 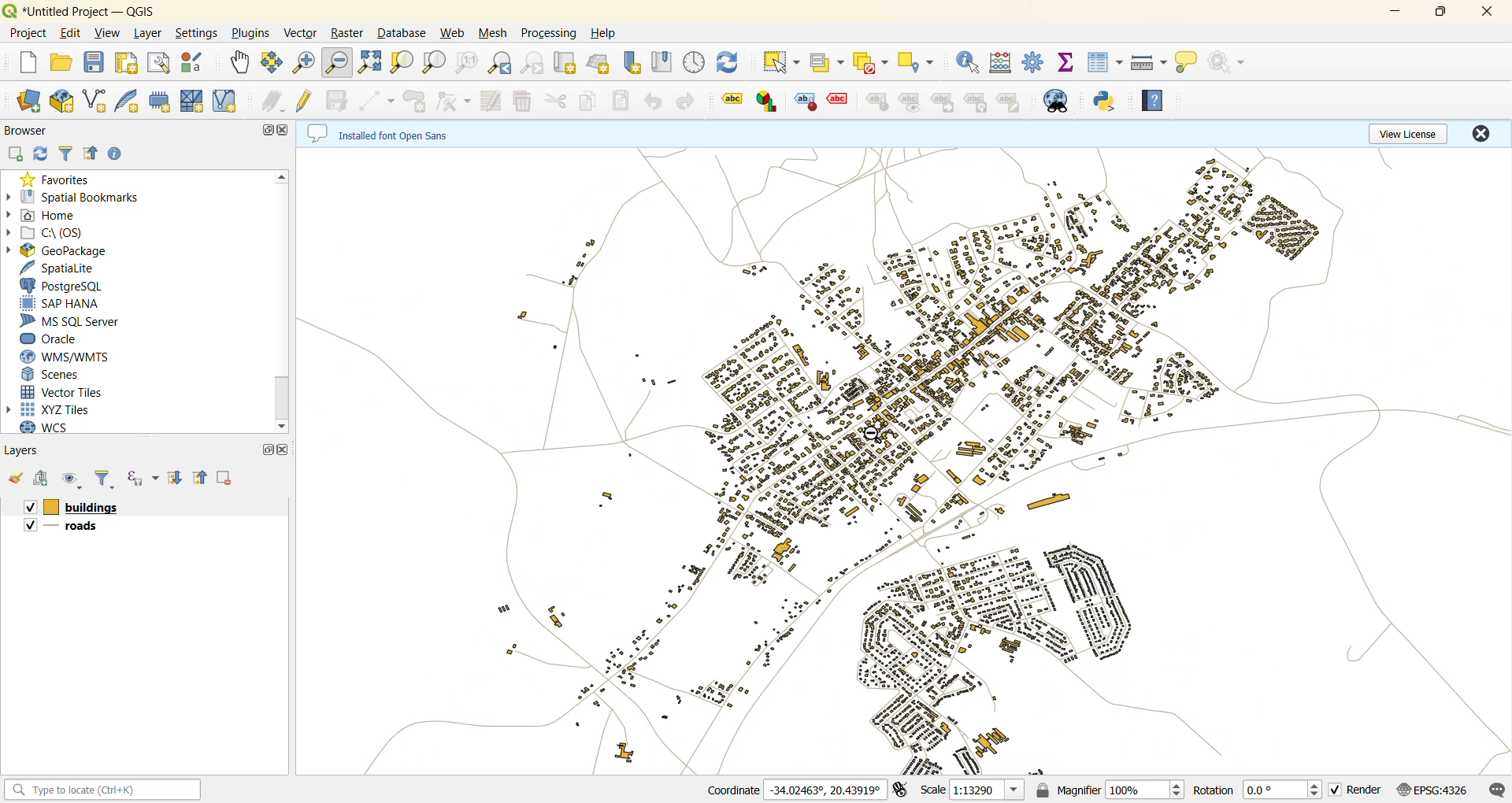 What do you see at coordinates (1032, 61) in the screenshot?
I see `toolbox` at bounding box center [1032, 61].